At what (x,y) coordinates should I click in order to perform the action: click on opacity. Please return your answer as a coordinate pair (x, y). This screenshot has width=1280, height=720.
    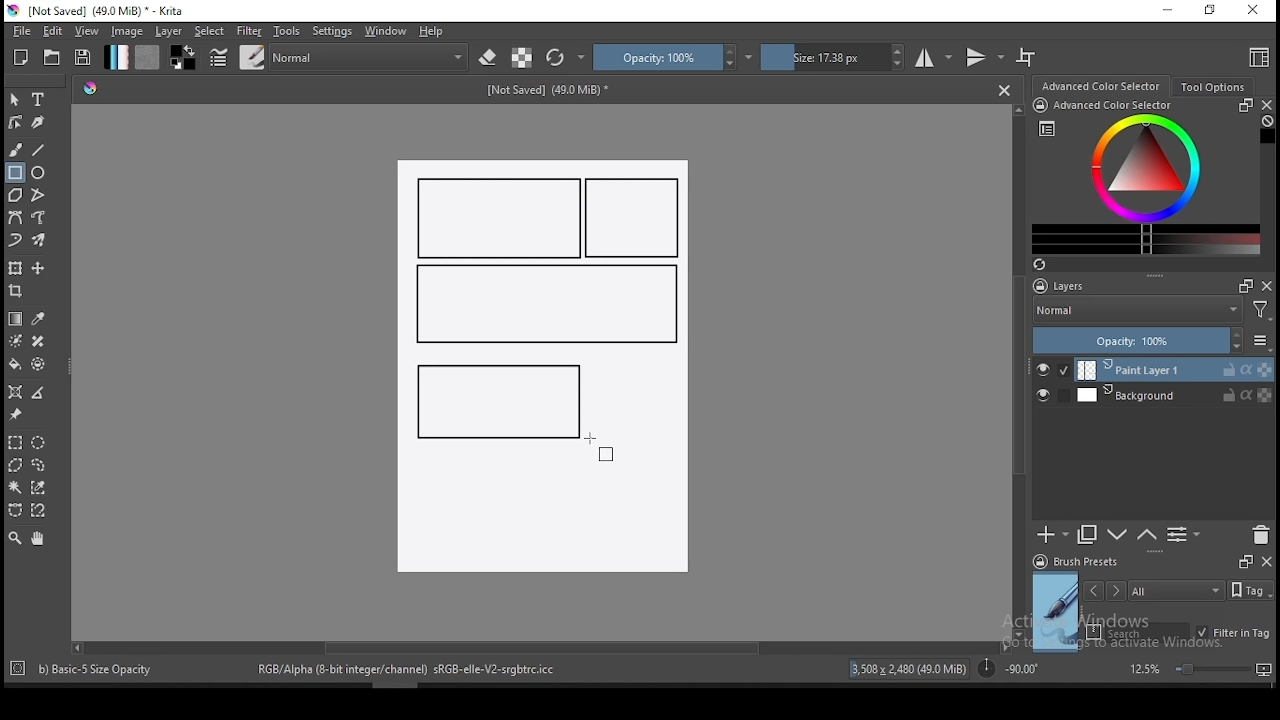
    Looking at the image, I should click on (1150, 342).